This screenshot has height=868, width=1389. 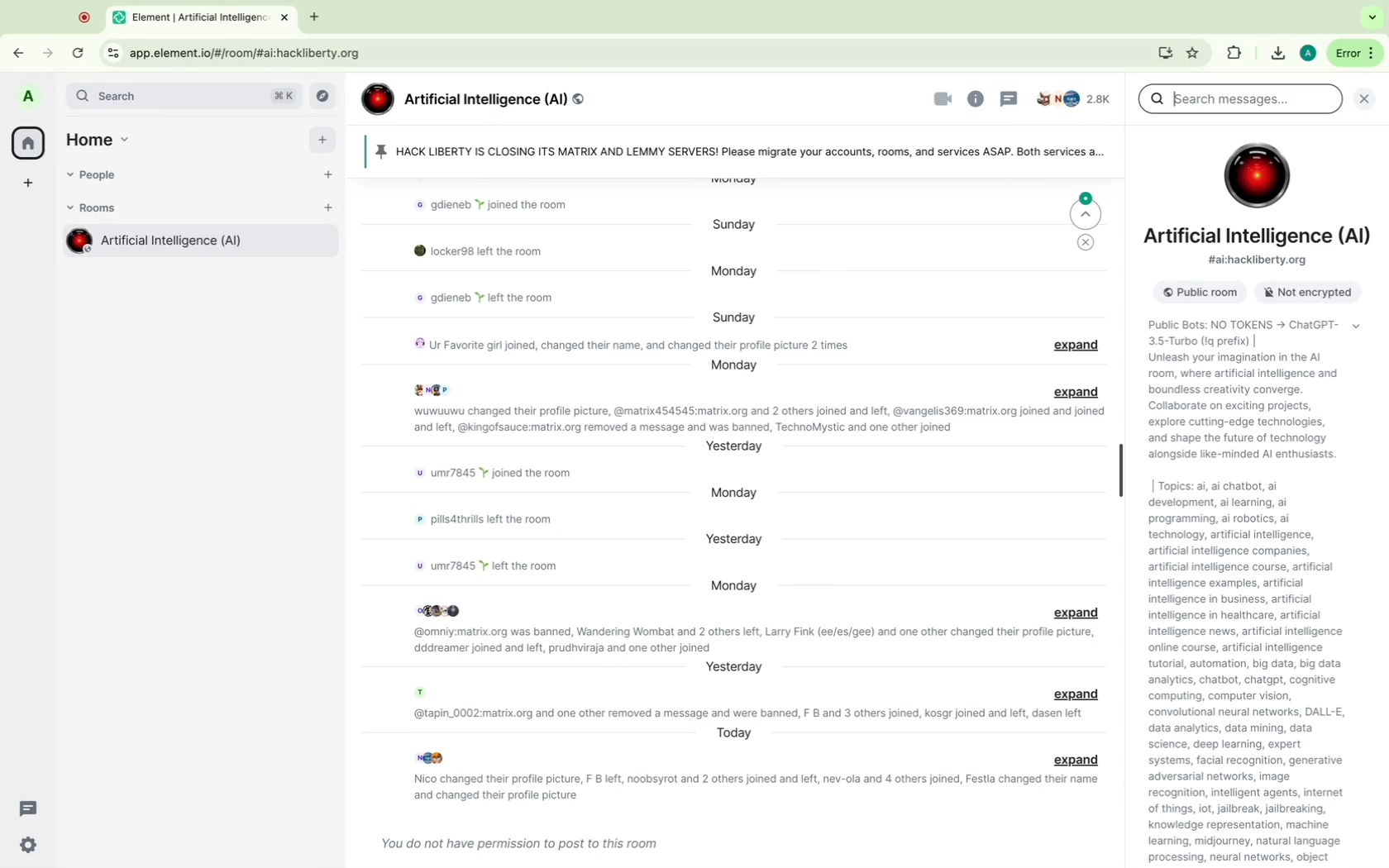 What do you see at coordinates (328, 181) in the screenshot?
I see `start chat` at bounding box center [328, 181].